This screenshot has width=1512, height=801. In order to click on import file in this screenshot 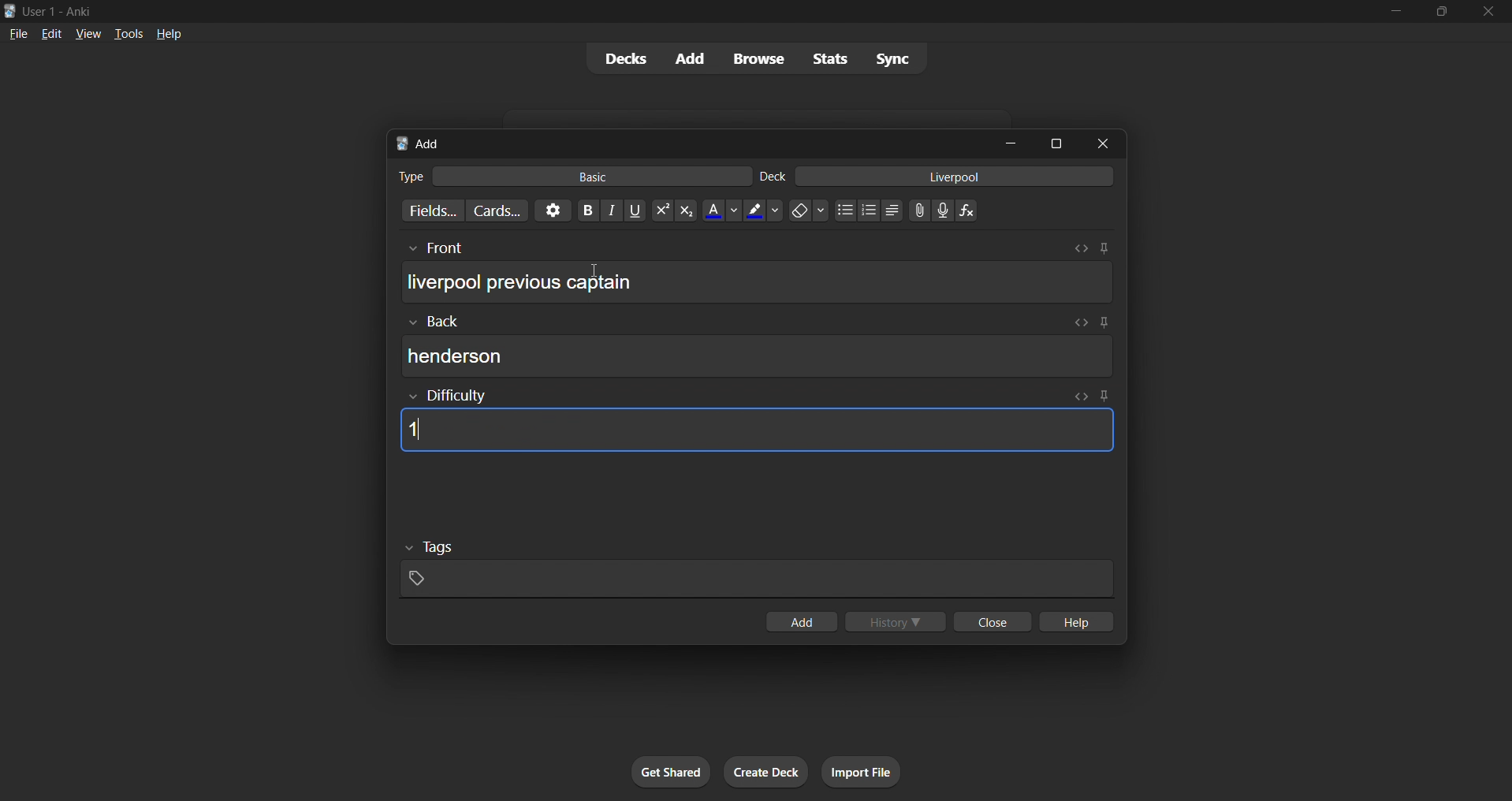, I will do `click(867, 770)`.